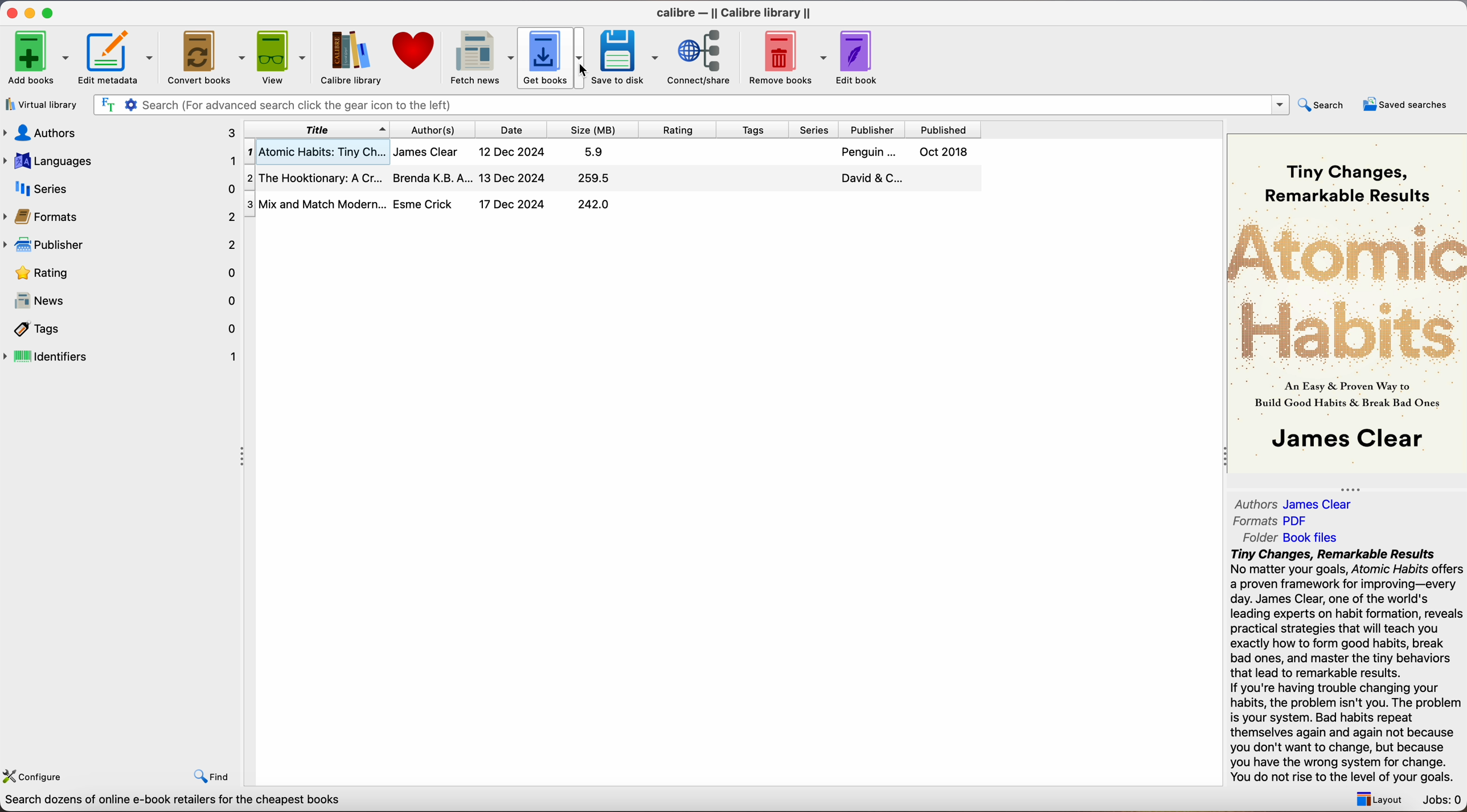 This screenshot has width=1467, height=812. Describe the element at coordinates (38, 59) in the screenshot. I see `add books` at that location.